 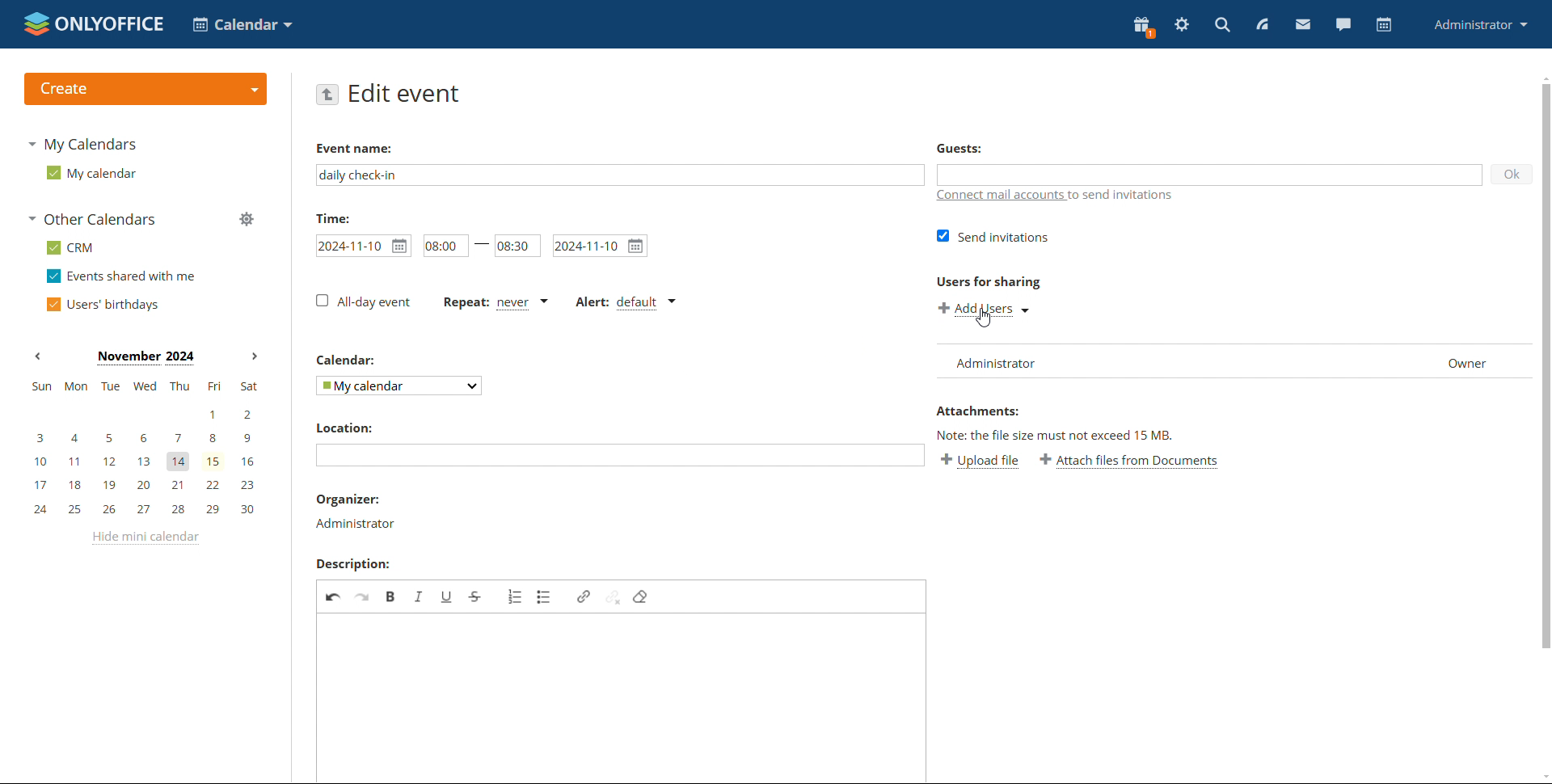 I want to click on calendar, so click(x=1382, y=25).